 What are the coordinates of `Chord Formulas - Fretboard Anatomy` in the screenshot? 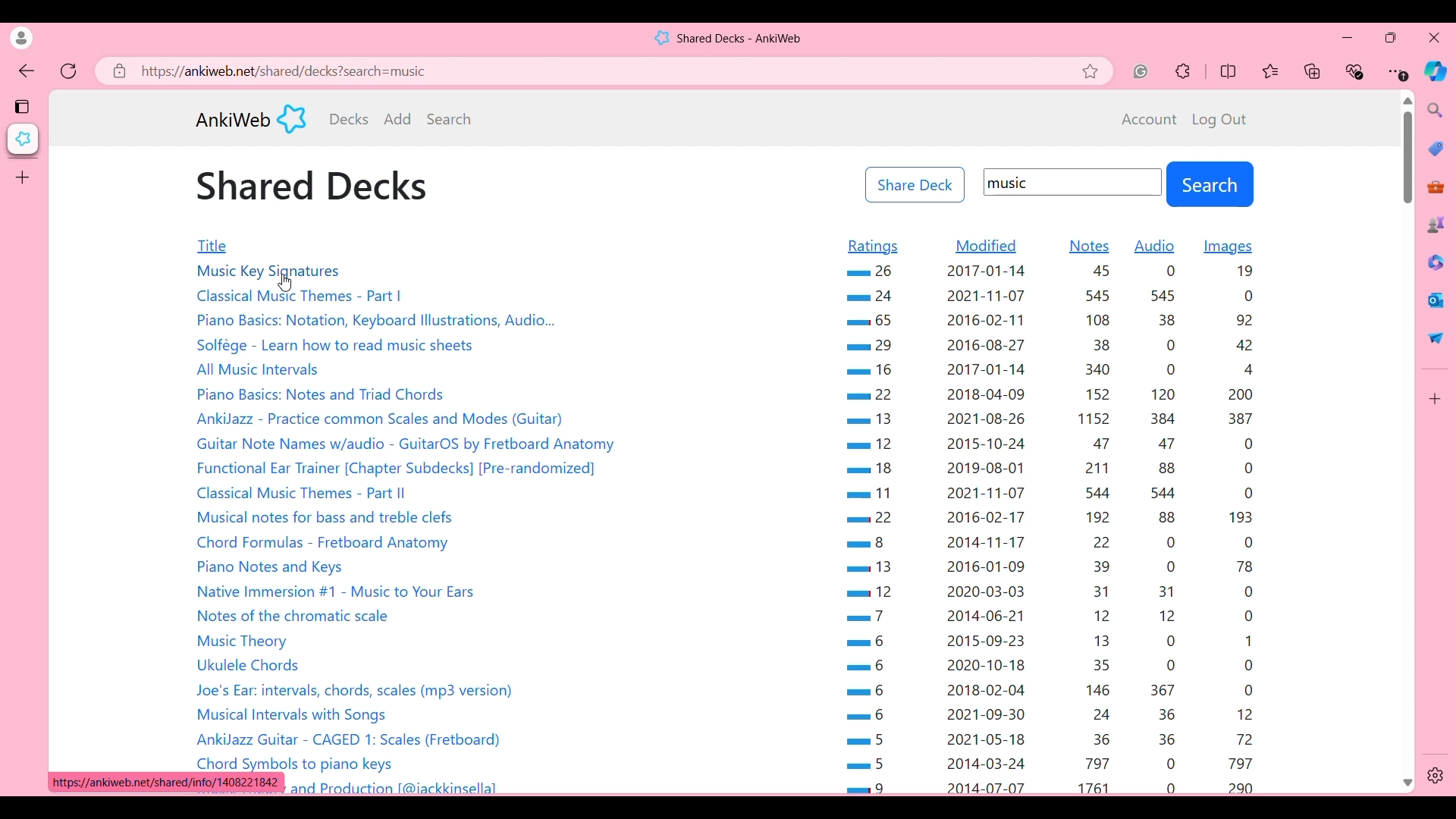 It's located at (323, 542).